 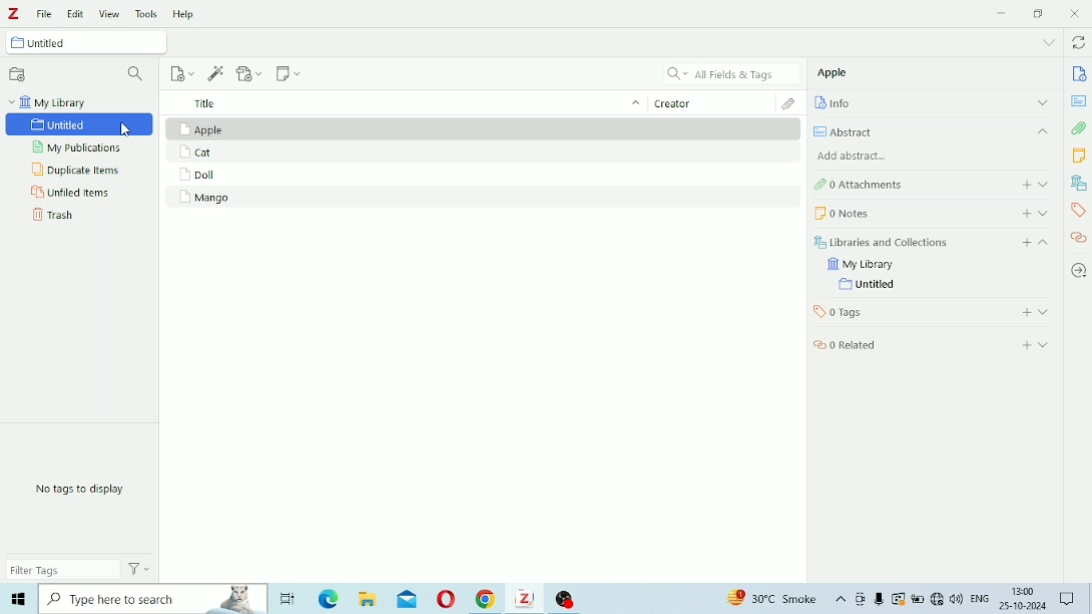 What do you see at coordinates (44, 14) in the screenshot?
I see `File` at bounding box center [44, 14].